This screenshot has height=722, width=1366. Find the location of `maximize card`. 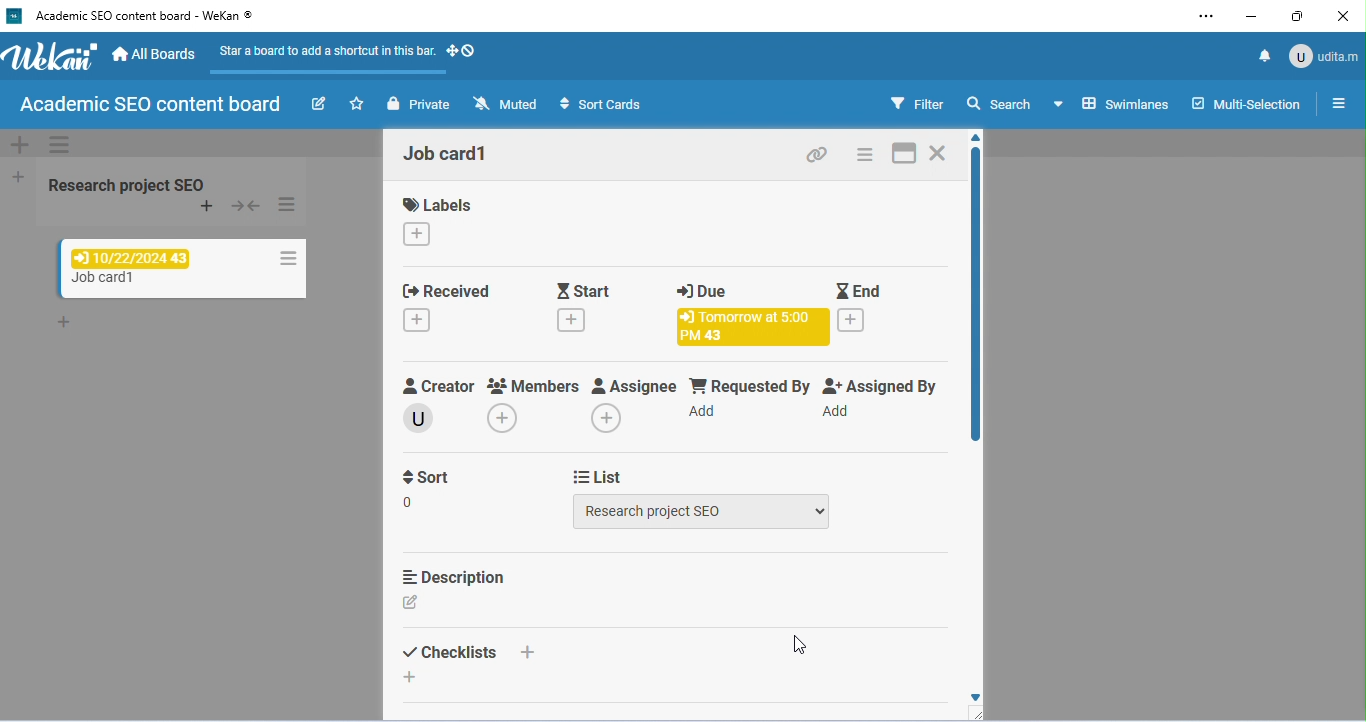

maximize card is located at coordinates (905, 153).